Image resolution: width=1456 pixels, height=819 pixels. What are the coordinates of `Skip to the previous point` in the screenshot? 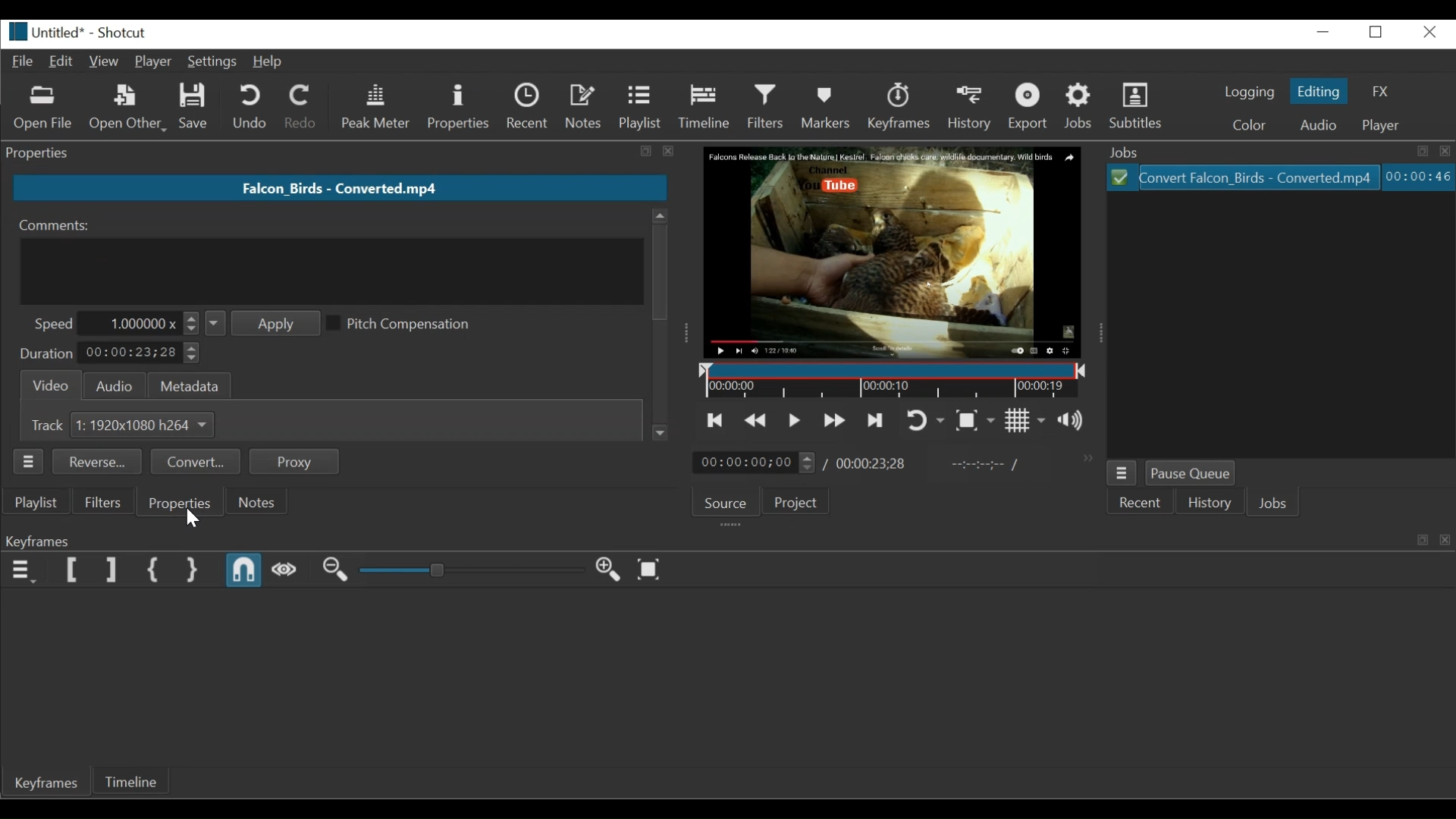 It's located at (716, 420).